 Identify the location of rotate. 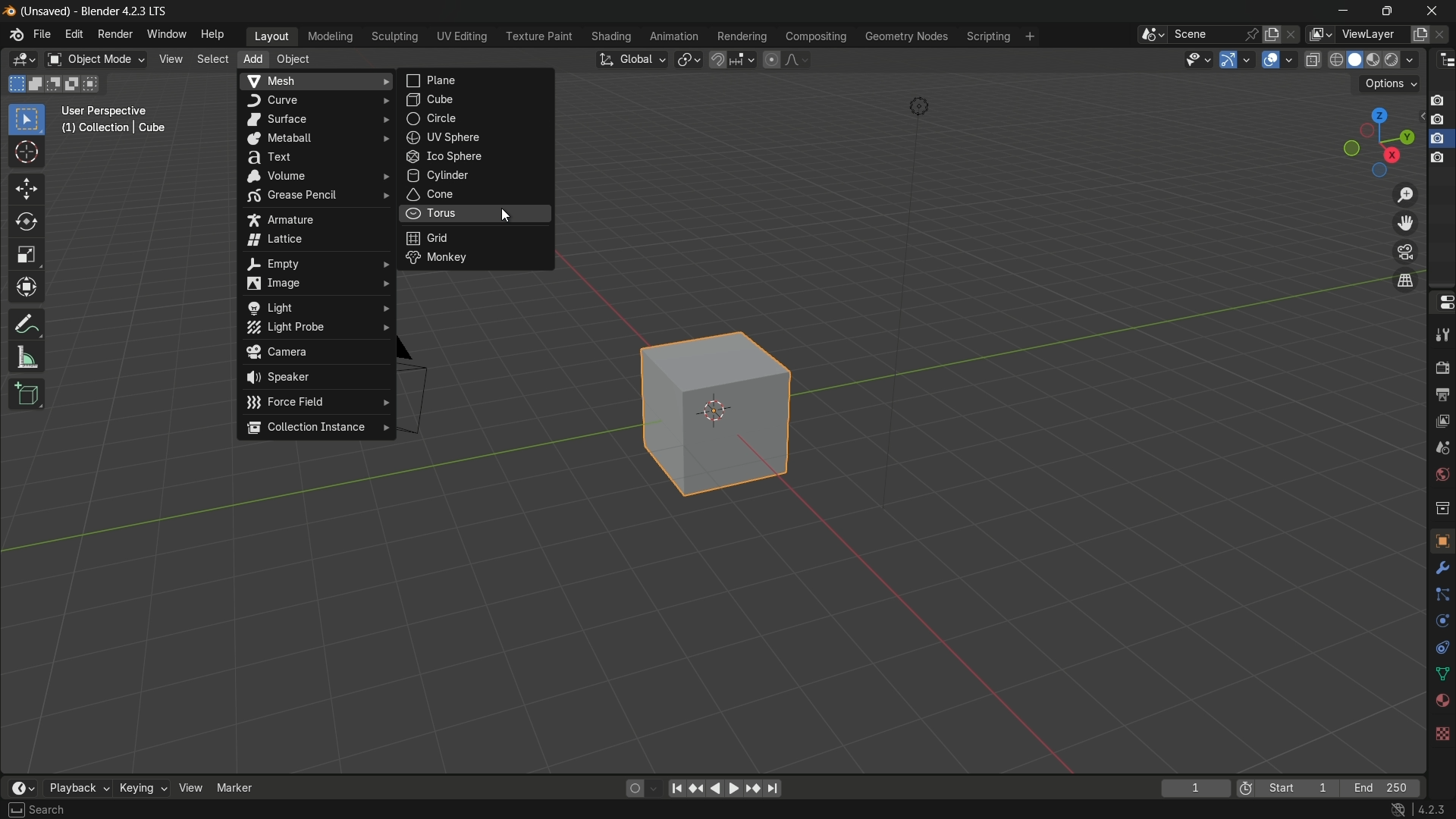
(27, 223).